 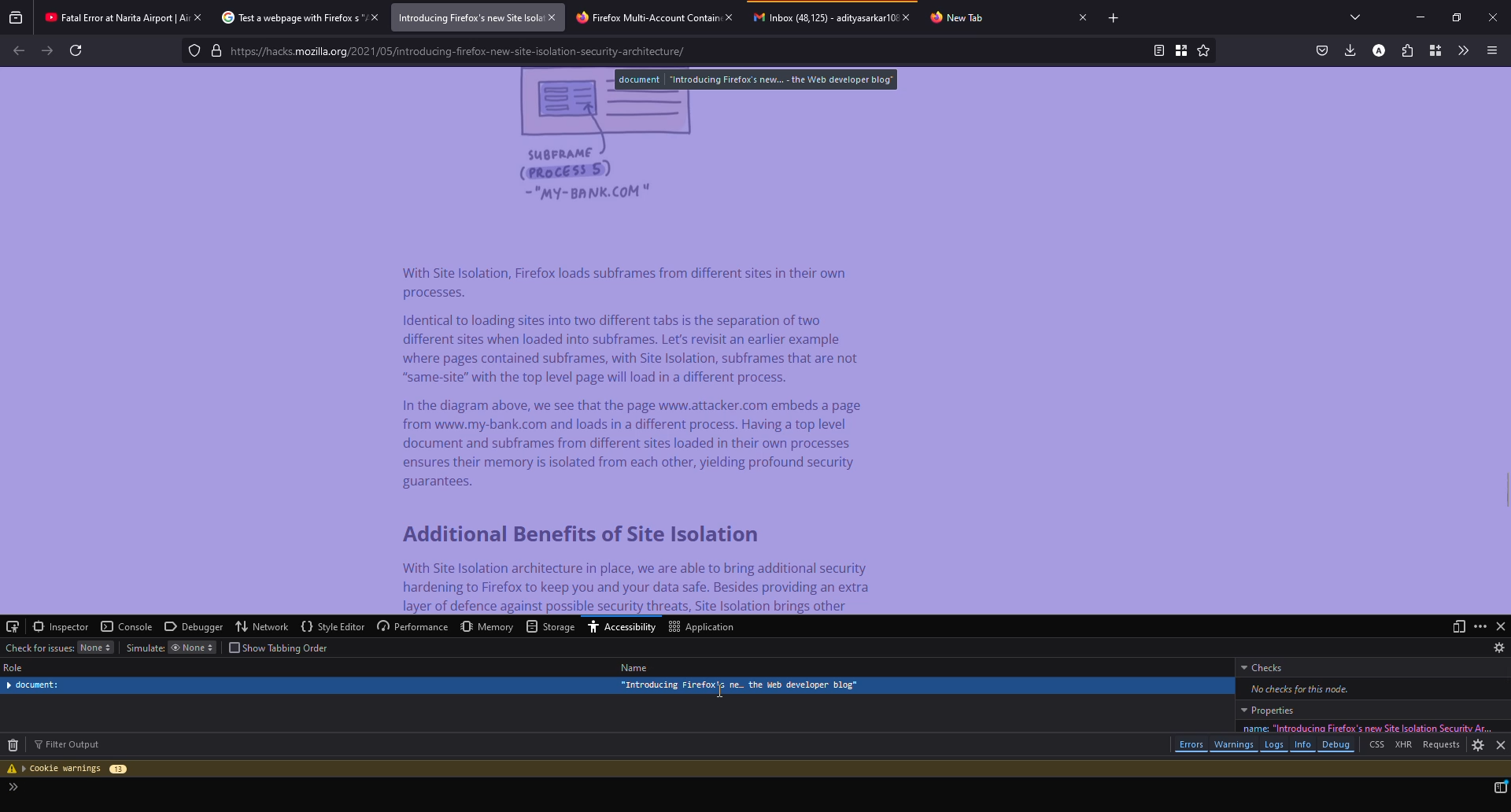 What do you see at coordinates (1479, 625) in the screenshot?
I see `more` at bounding box center [1479, 625].